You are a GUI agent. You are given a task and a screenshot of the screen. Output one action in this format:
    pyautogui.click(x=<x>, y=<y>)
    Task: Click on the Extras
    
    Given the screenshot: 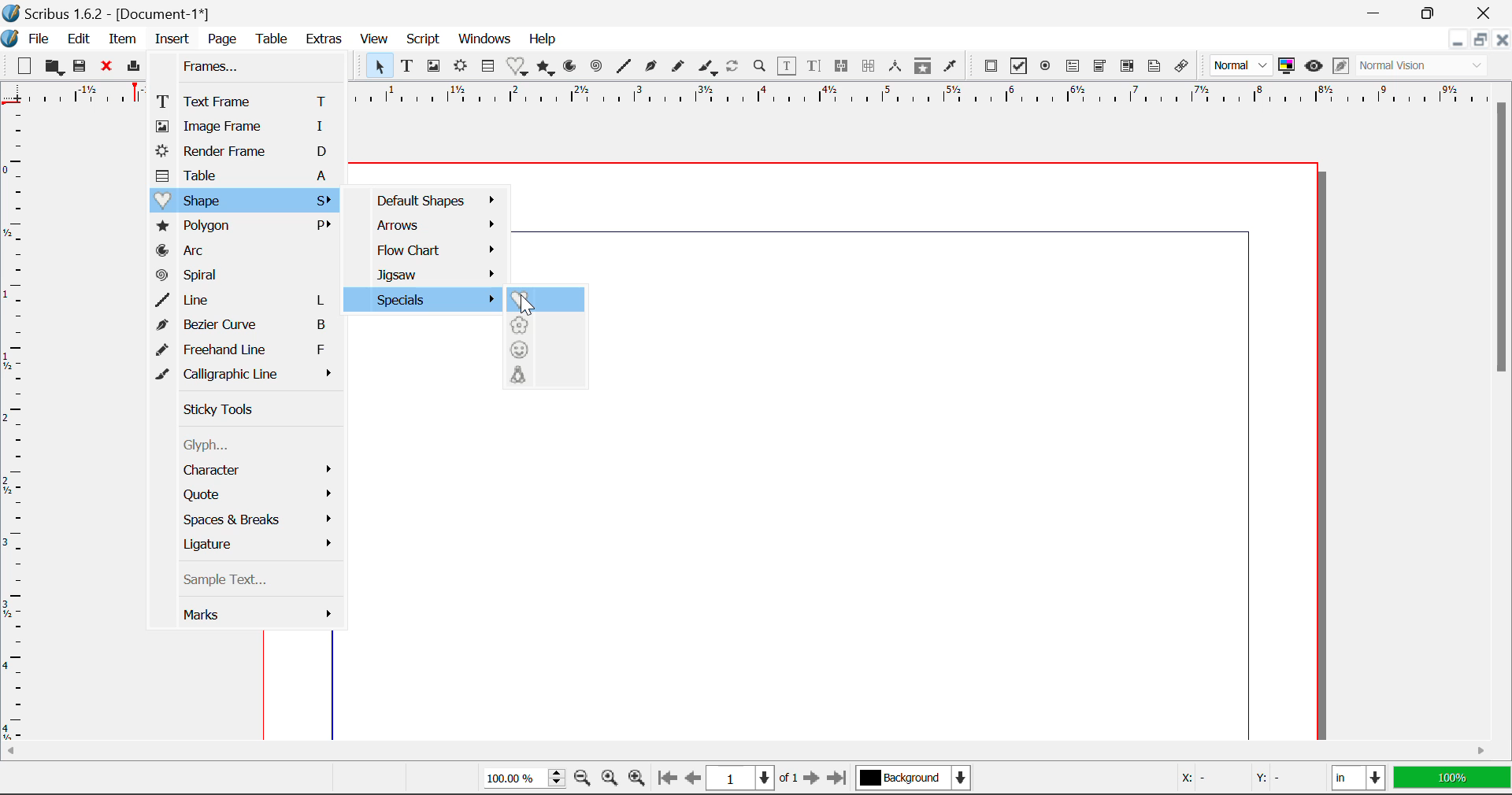 What is the action you would take?
    pyautogui.click(x=327, y=40)
    